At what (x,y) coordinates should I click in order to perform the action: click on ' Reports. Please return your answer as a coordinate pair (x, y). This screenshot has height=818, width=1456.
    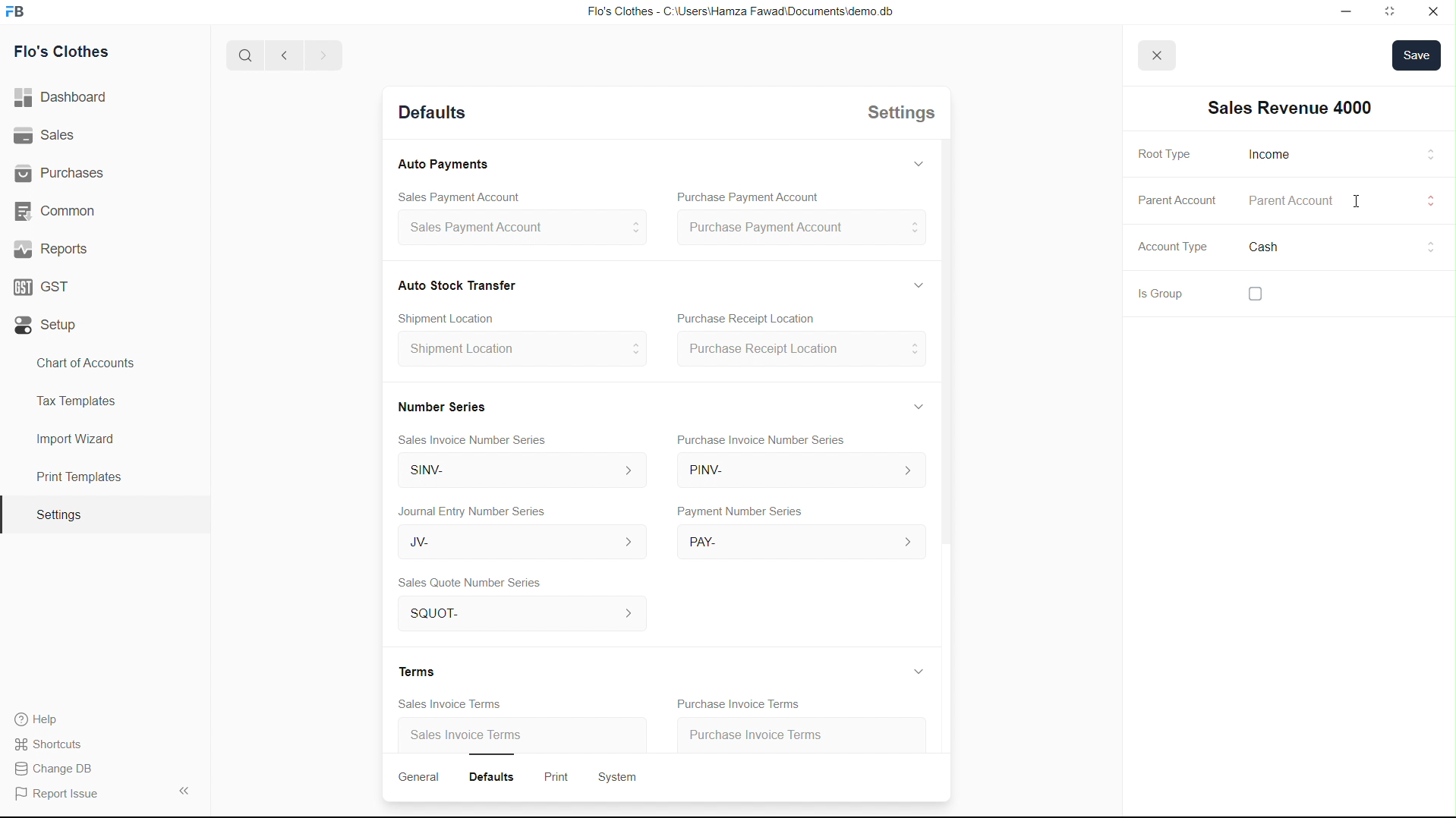
    Looking at the image, I should click on (54, 248).